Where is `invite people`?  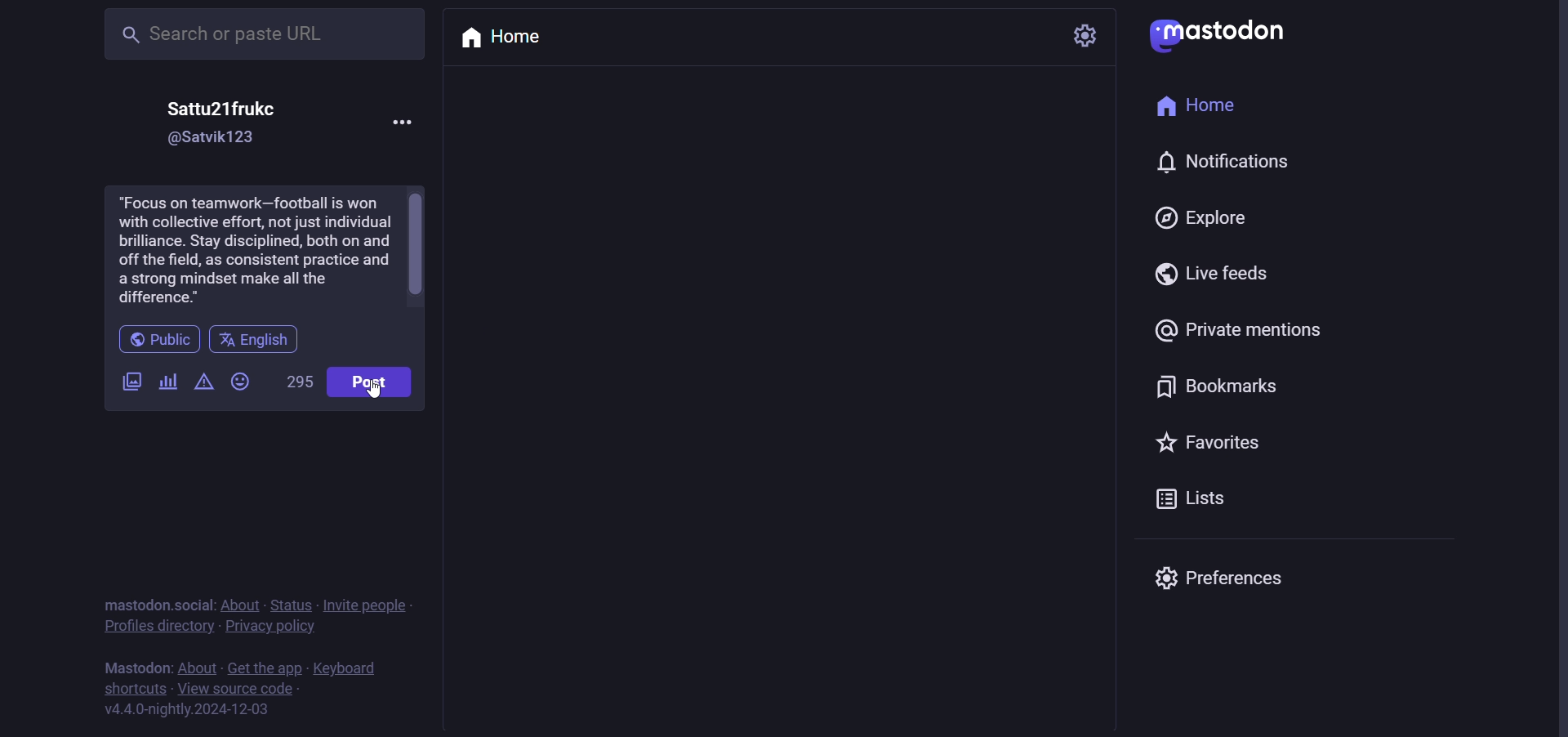
invite people is located at coordinates (370, 604).